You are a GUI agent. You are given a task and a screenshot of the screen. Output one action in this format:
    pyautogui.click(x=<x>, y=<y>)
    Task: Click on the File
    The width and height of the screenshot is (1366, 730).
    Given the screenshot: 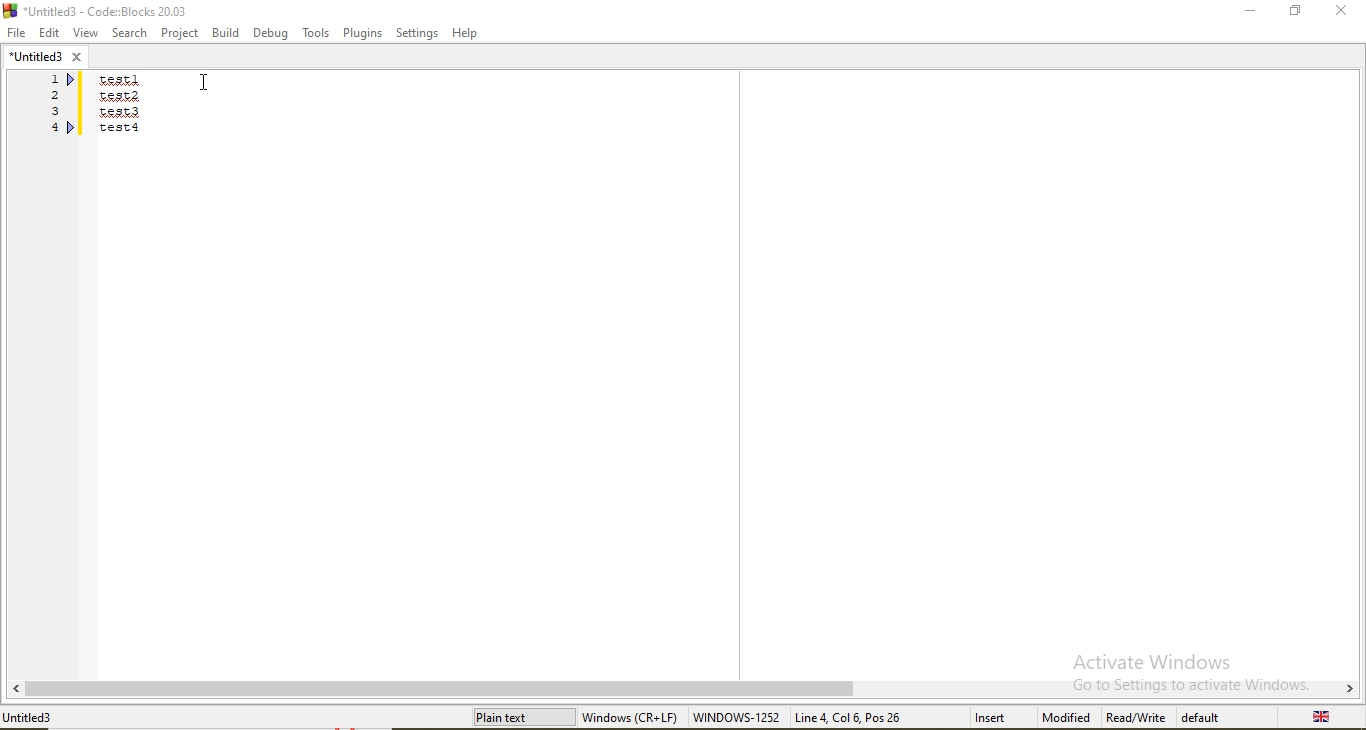 What is the action you would take?
    pyautogui.click(x=16, y=32)
    